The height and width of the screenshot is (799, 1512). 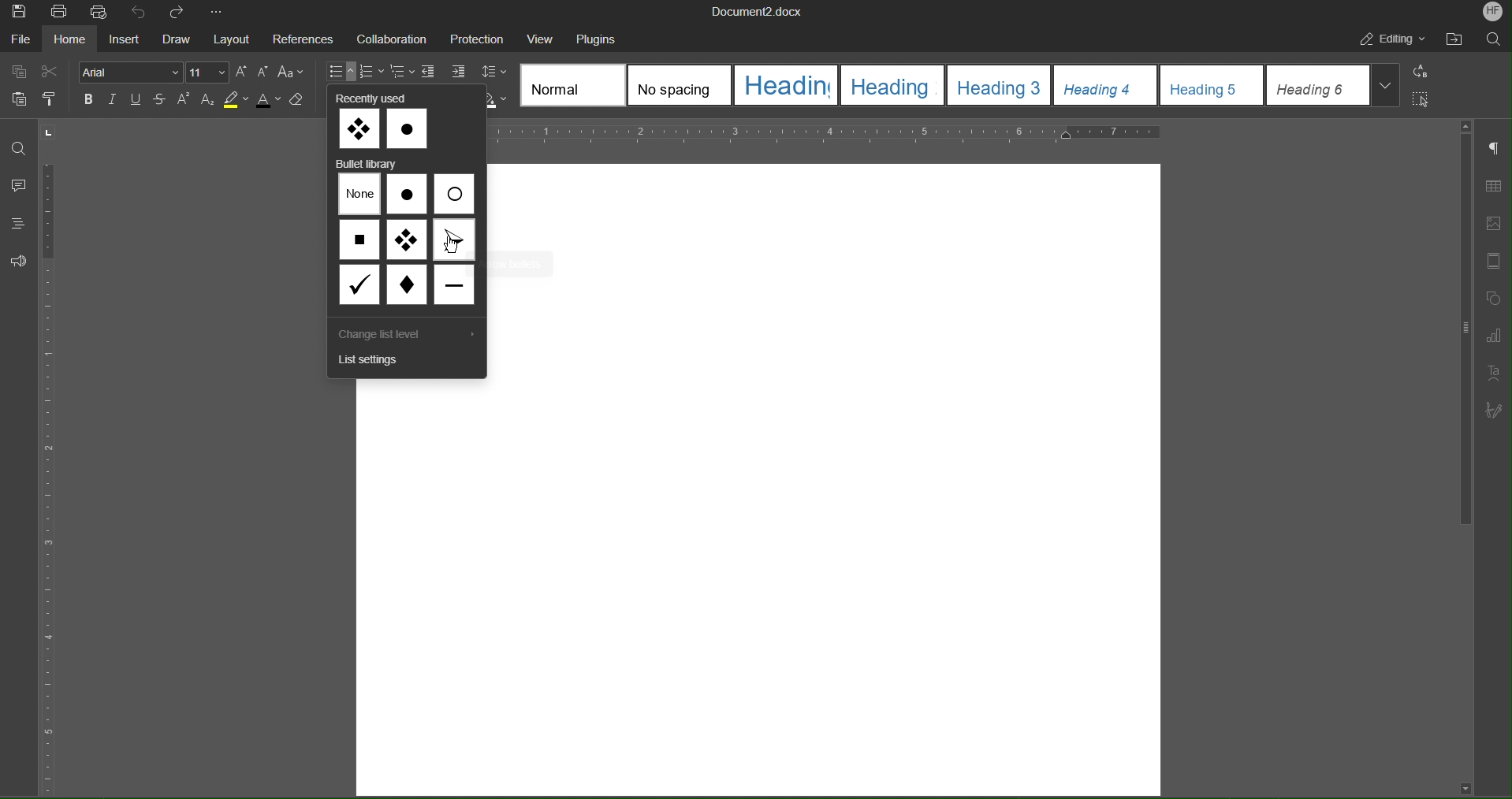 I want to click on Find, so click(x=20, y=147).